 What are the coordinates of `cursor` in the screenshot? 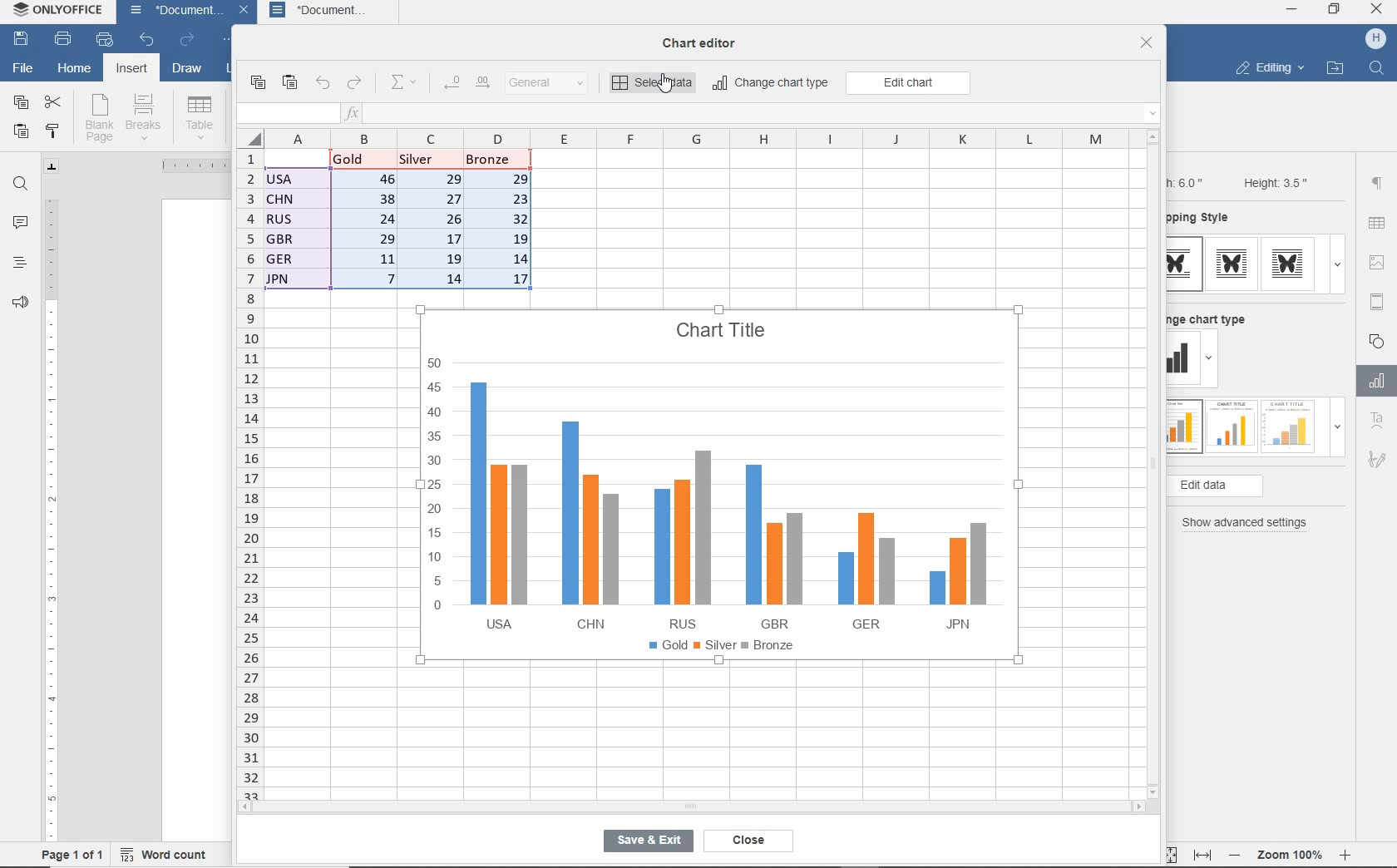 It's located at (665, 86).